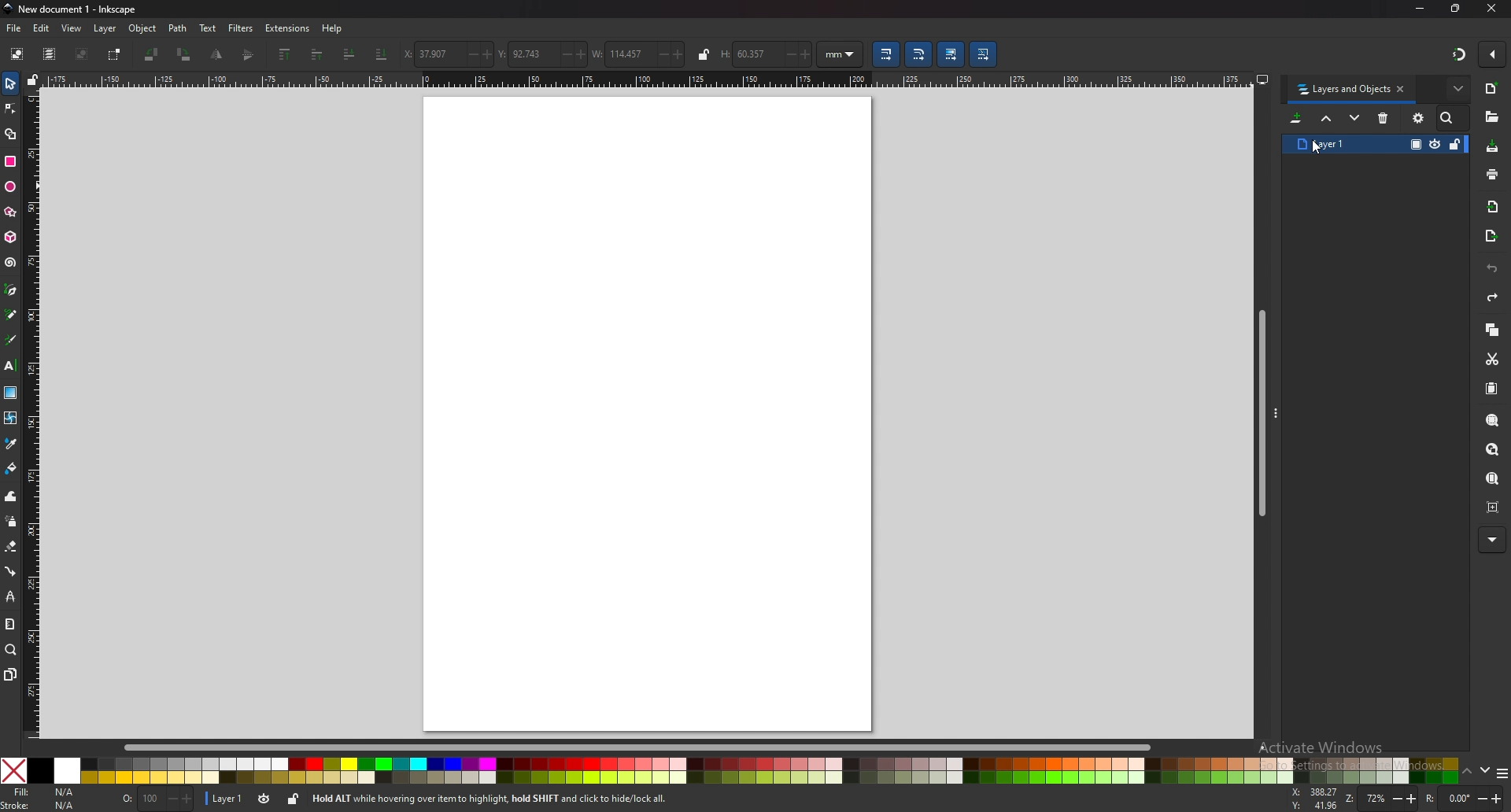 This screenshot has width=1511, height=812. I want to click on undo, so click(1492, 270).